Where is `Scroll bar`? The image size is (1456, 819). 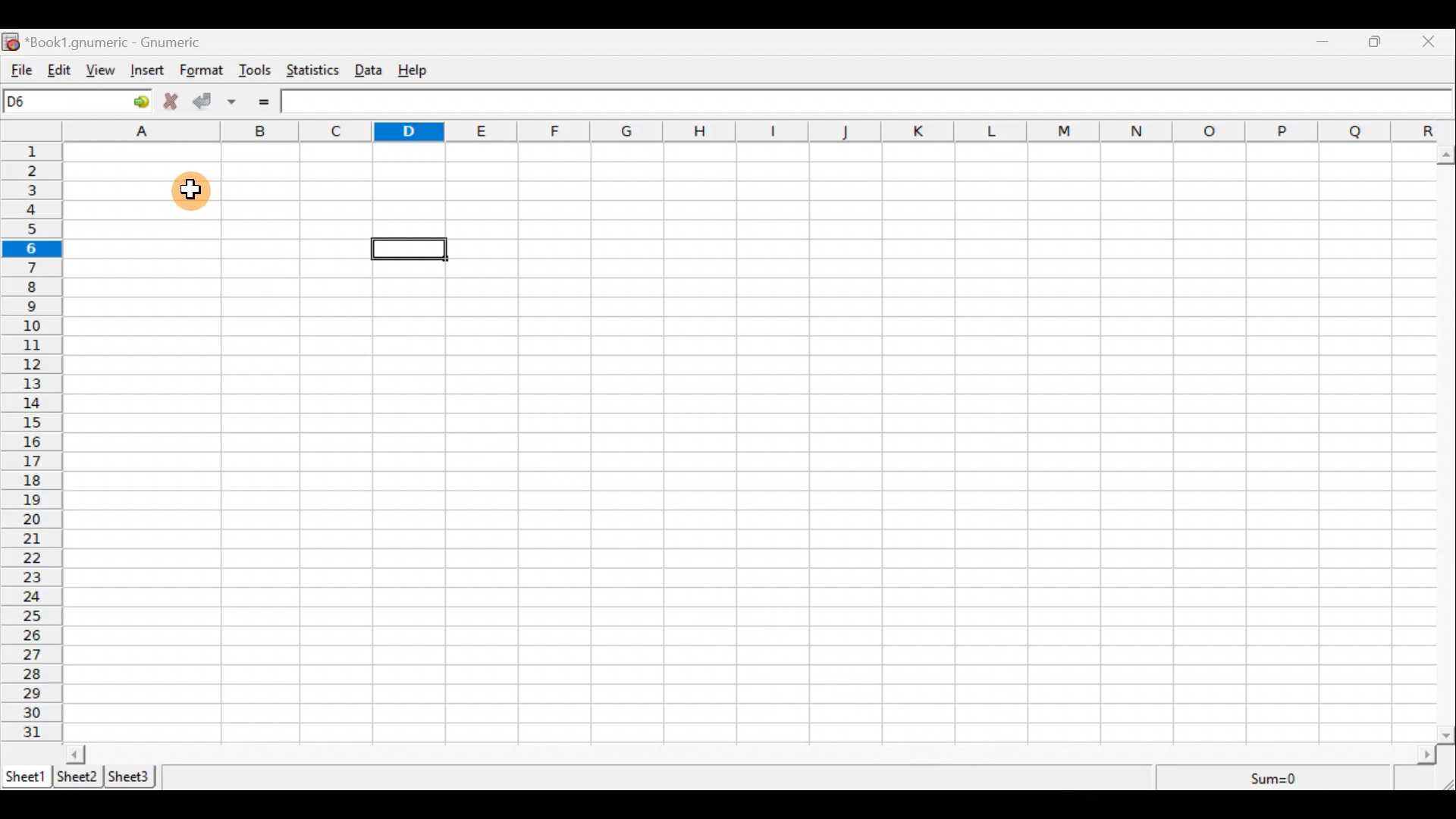
Scroll bar is located at coordinates (1447, 441).